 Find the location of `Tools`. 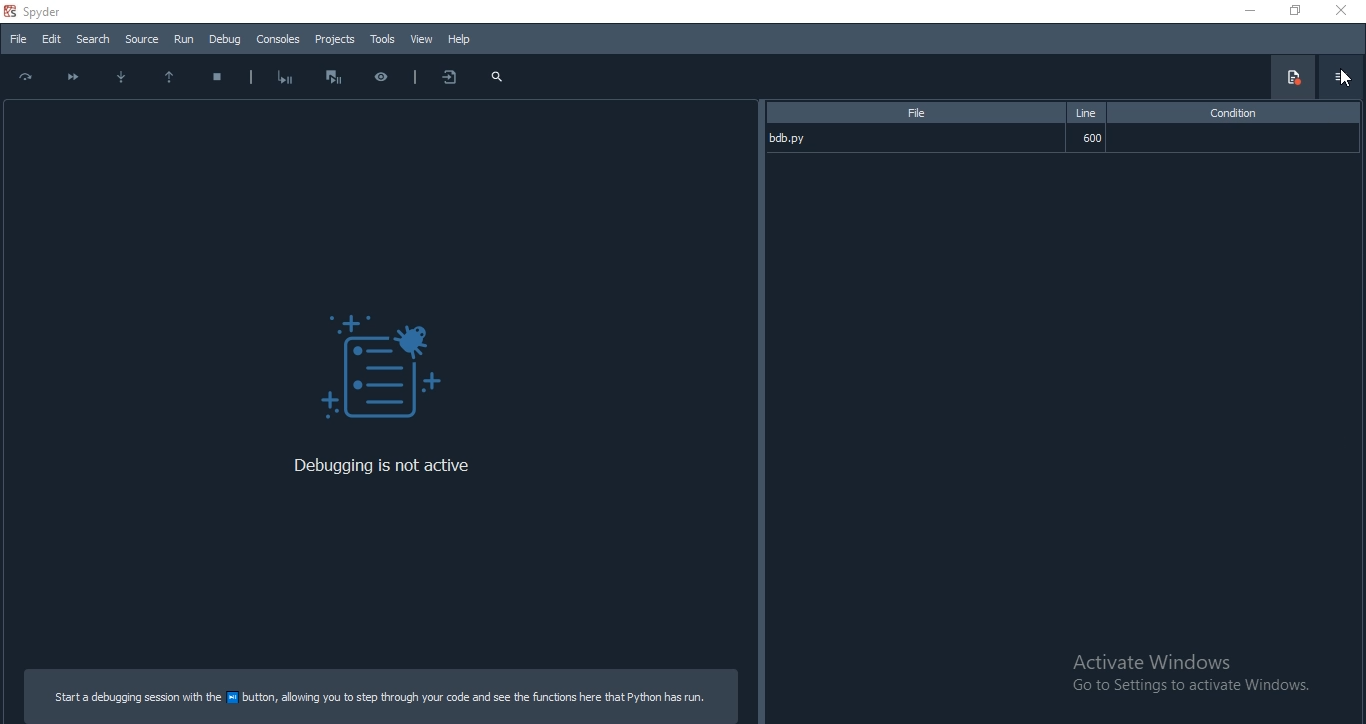

Tools is located at coordinates (381, 38).